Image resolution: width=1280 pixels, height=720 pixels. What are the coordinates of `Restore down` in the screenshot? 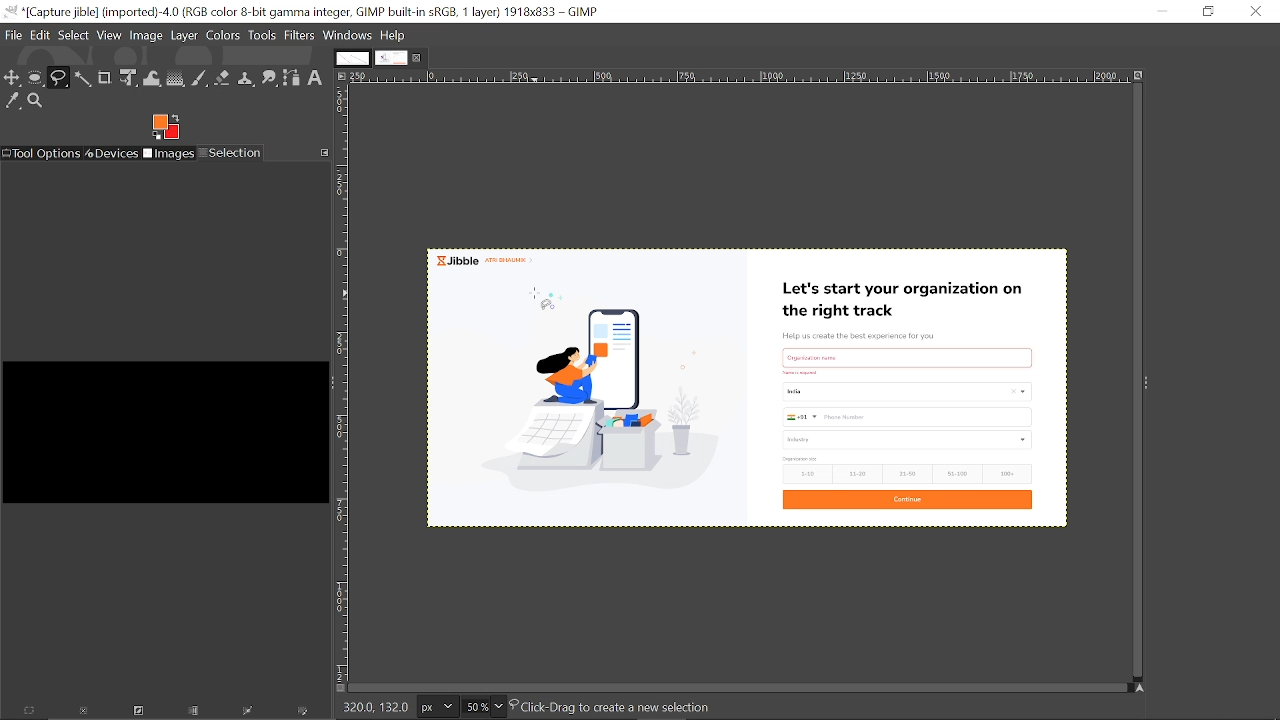 It's located at (1206, 11).